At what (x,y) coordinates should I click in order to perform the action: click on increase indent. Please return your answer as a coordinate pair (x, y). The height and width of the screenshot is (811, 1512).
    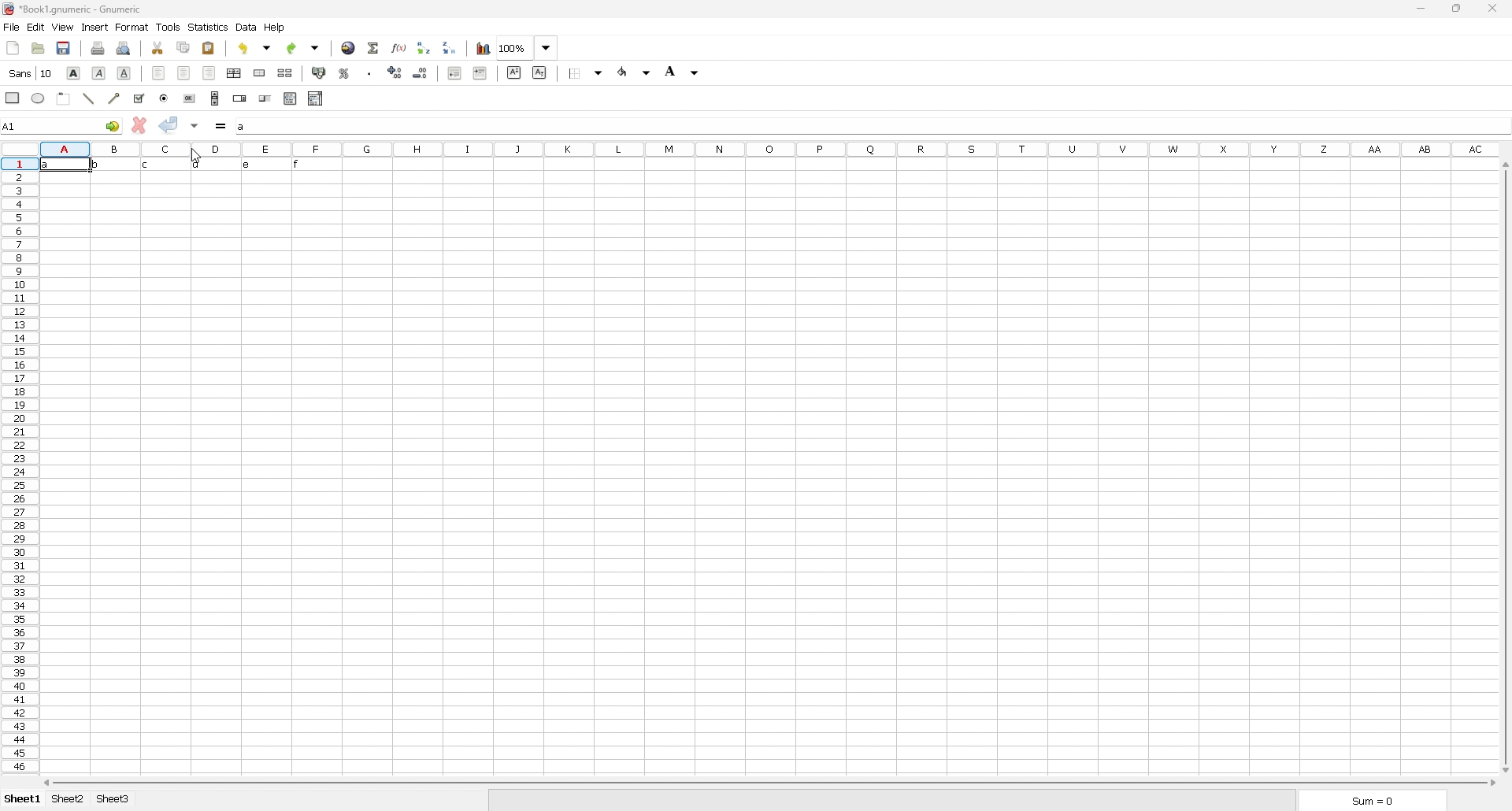
    Looking at the image, I should click on (480, 72).